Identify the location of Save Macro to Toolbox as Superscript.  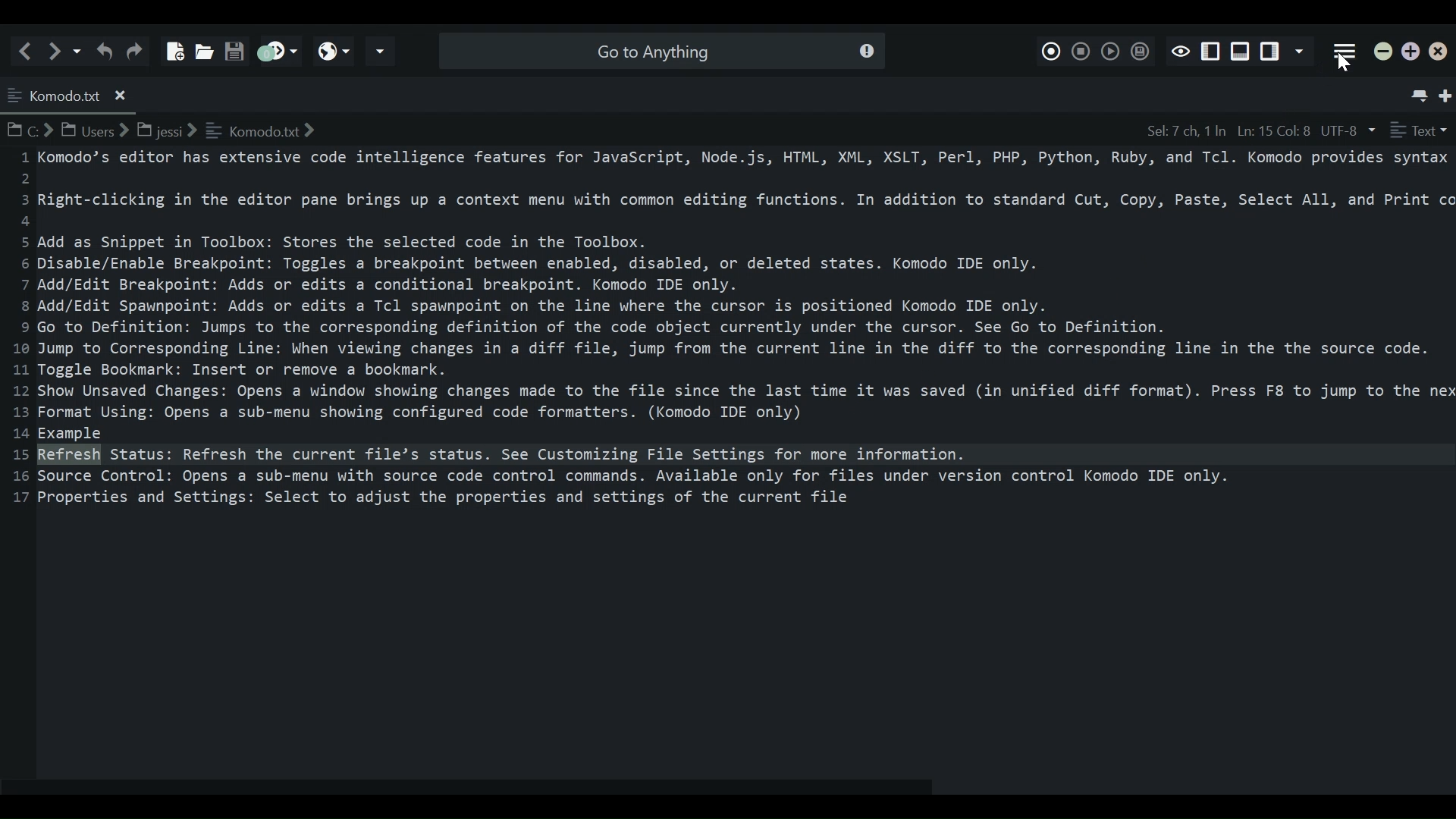
(1138, 51).